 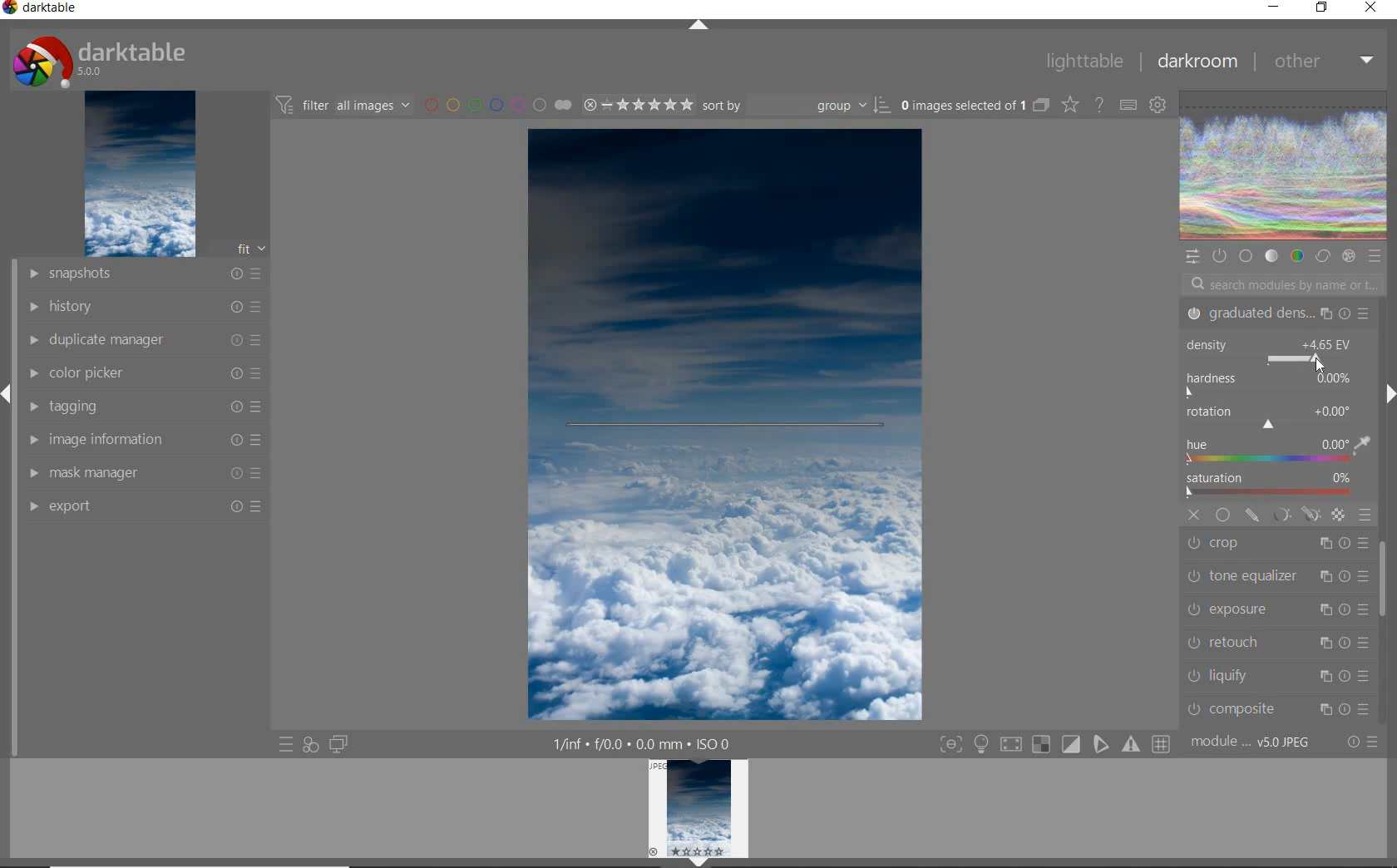 What do you see at coordinates (1042, 104) in the screenshot?
I see `COLLAPSE GROUPED IMAGES` at bounding box center [1042, 104].